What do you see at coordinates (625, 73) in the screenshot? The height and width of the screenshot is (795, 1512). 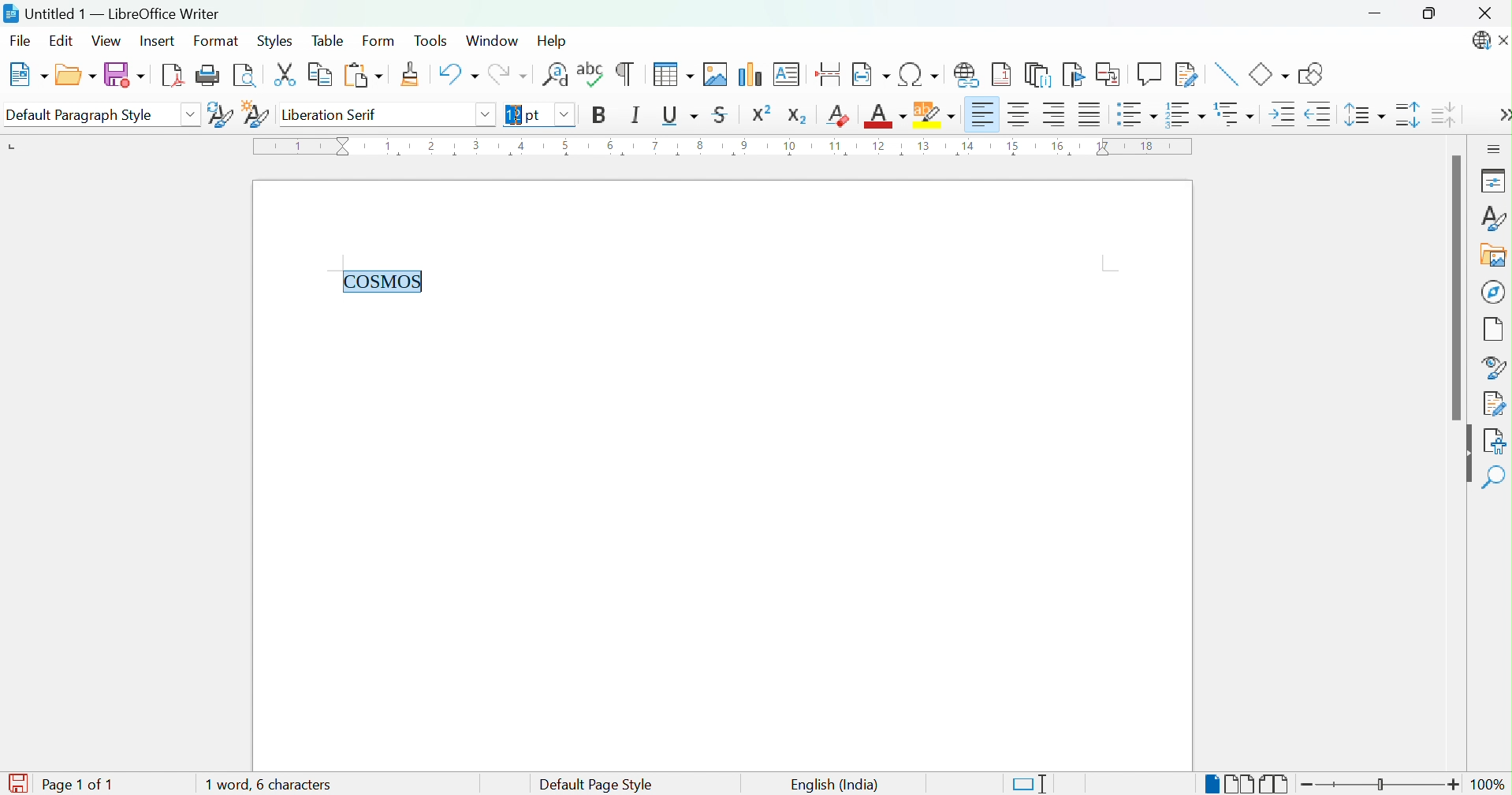 I see `Toggle Formatting Marks` at bounding box center [625, 73].